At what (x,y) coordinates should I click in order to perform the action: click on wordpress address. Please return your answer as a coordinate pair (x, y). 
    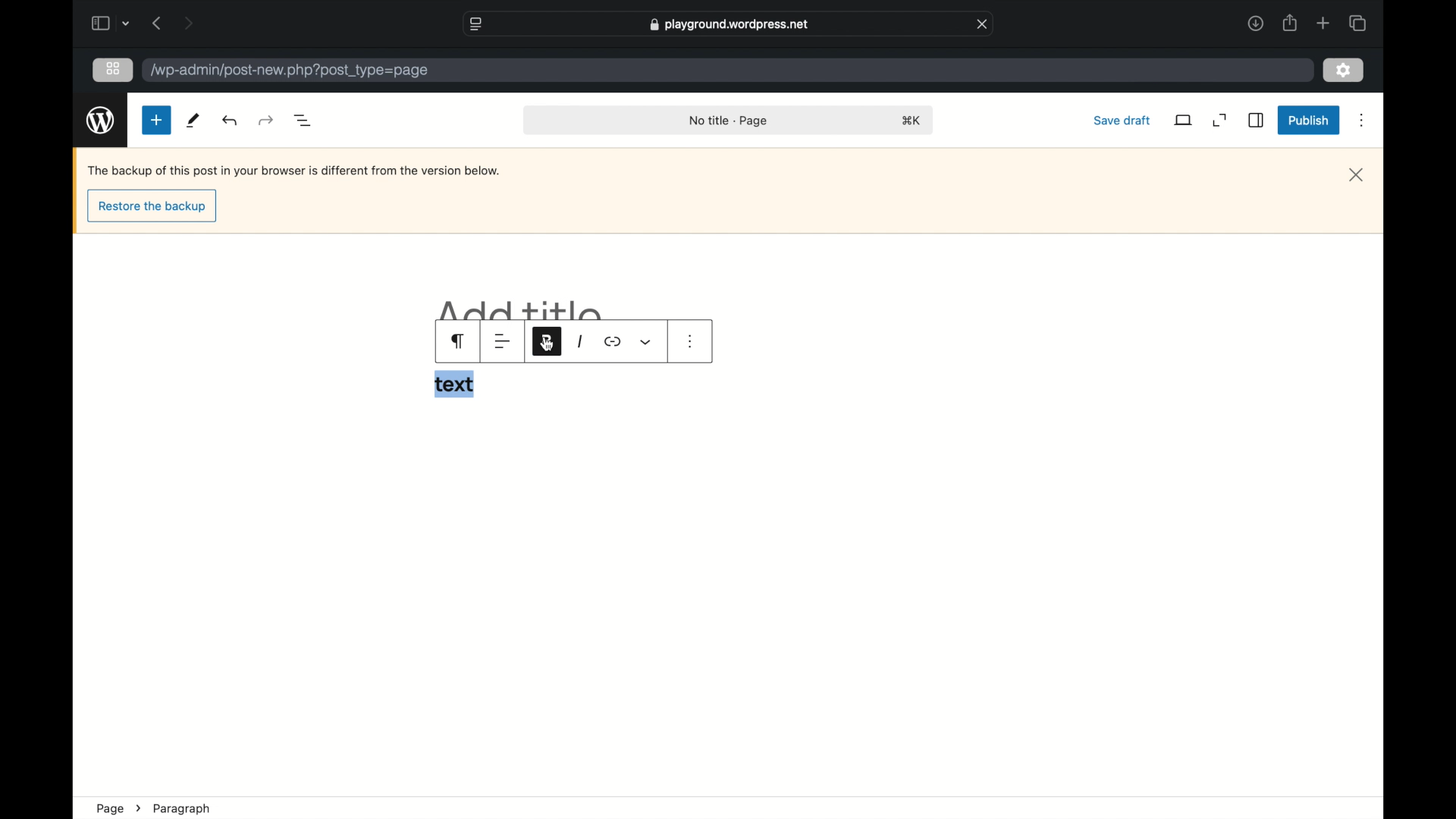
    Looking at the image, I should click on (290, 71).